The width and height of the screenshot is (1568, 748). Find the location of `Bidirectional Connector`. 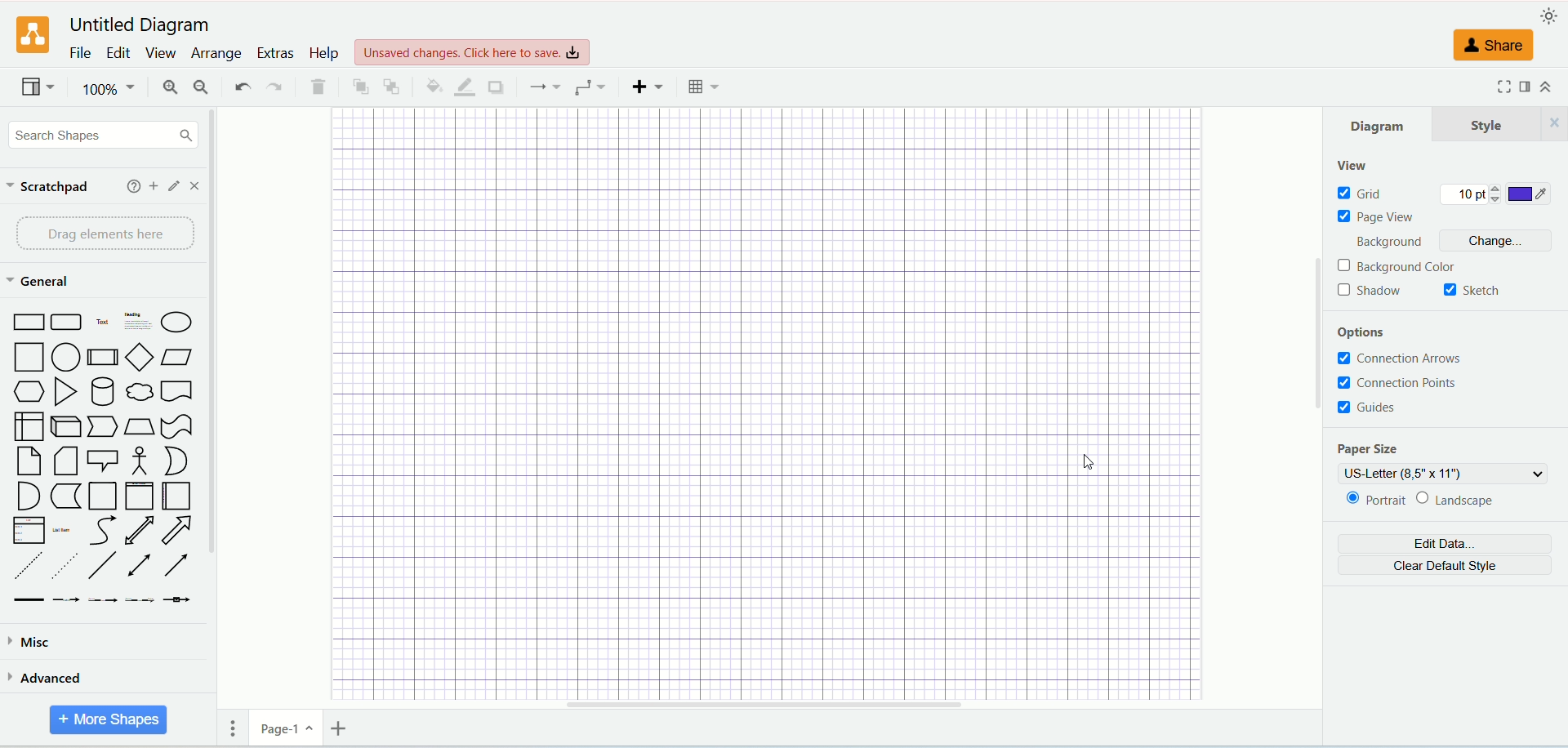

Bidirectional Connector is located at coordinates (143, 567).